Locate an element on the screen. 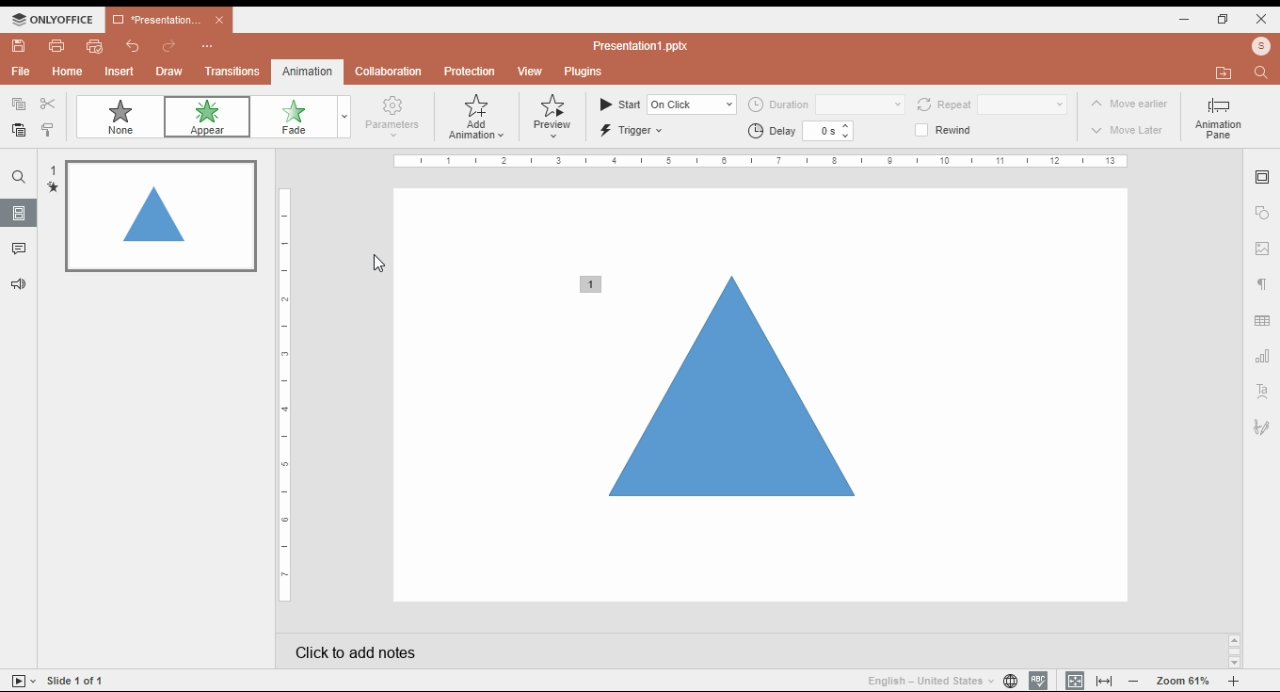 The width and height of the screenshot is (1280, 692). icon and menu button is located at coordinates (52, 19).